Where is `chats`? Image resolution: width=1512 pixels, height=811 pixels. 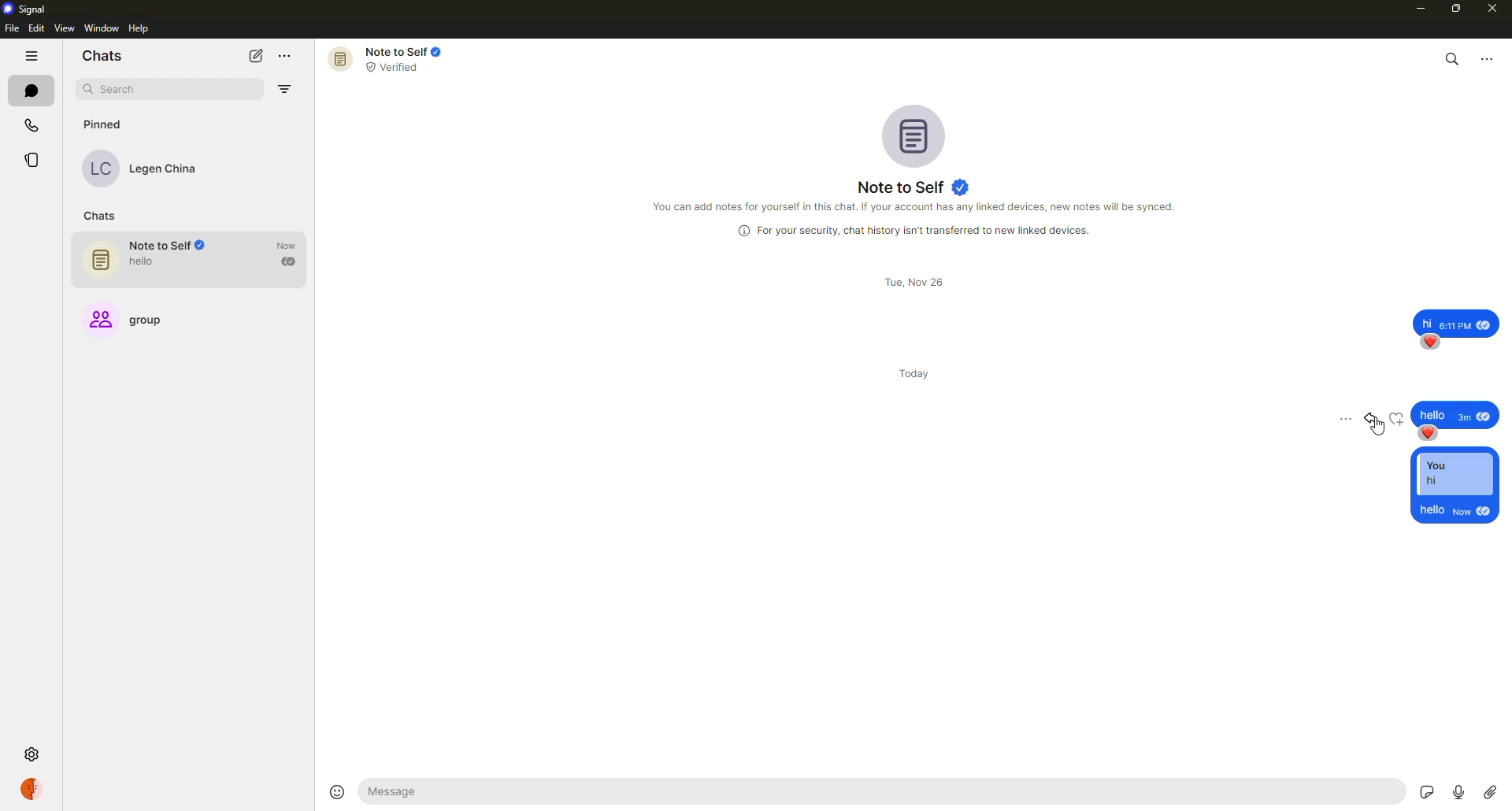
chats is located at coordinates (104, 55).